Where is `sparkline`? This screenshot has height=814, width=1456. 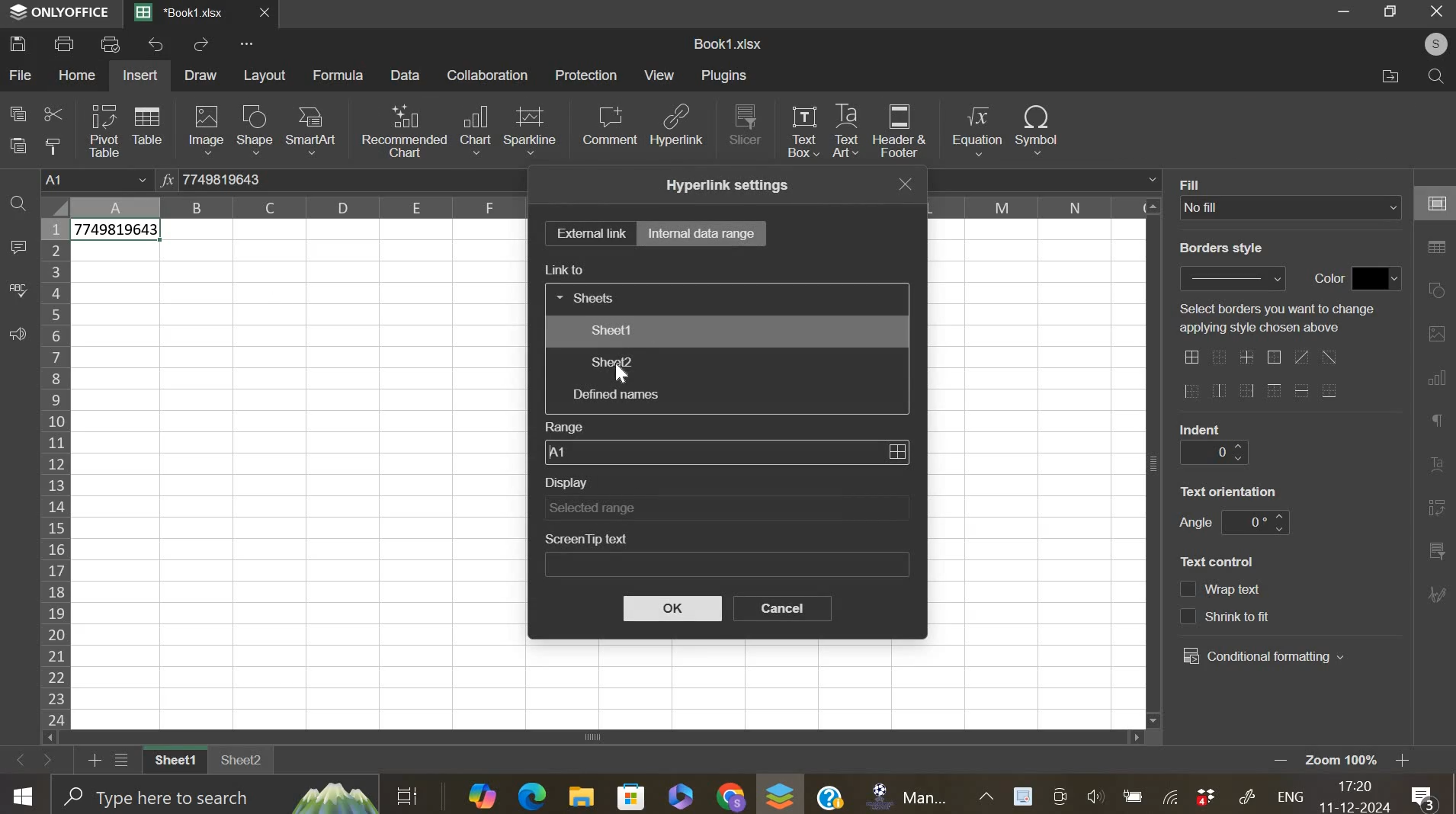 sparkline is located at coordinates (530, 129).